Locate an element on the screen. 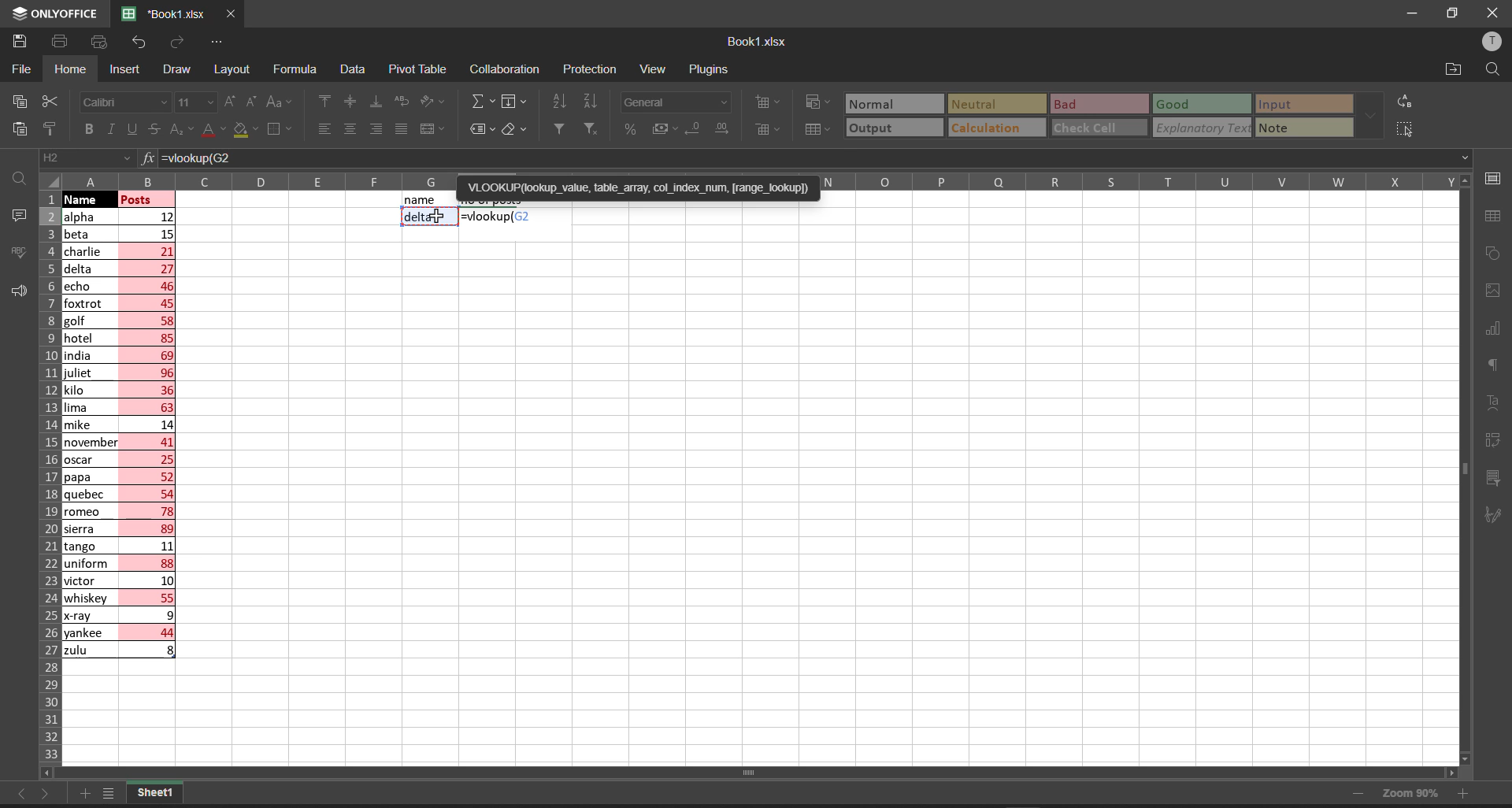  onlyoffice is located at coordinates (55, 13).